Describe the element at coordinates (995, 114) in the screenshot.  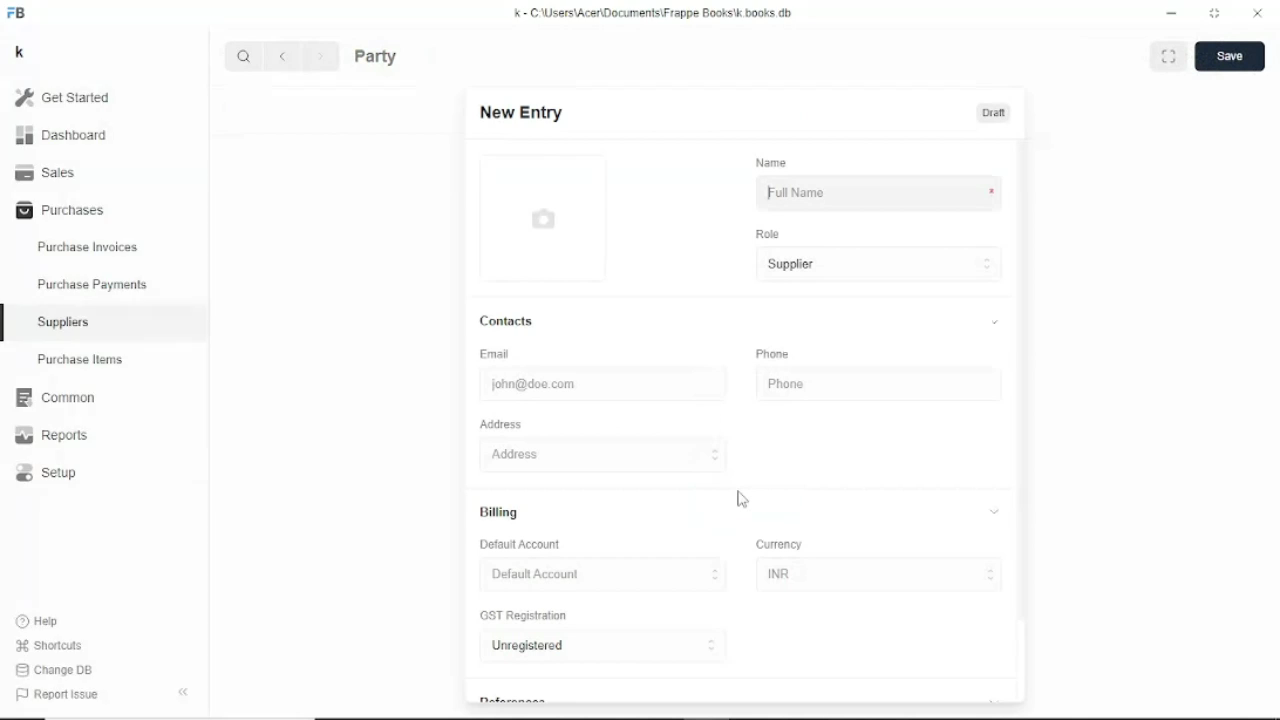
I see `Draft` at that location.